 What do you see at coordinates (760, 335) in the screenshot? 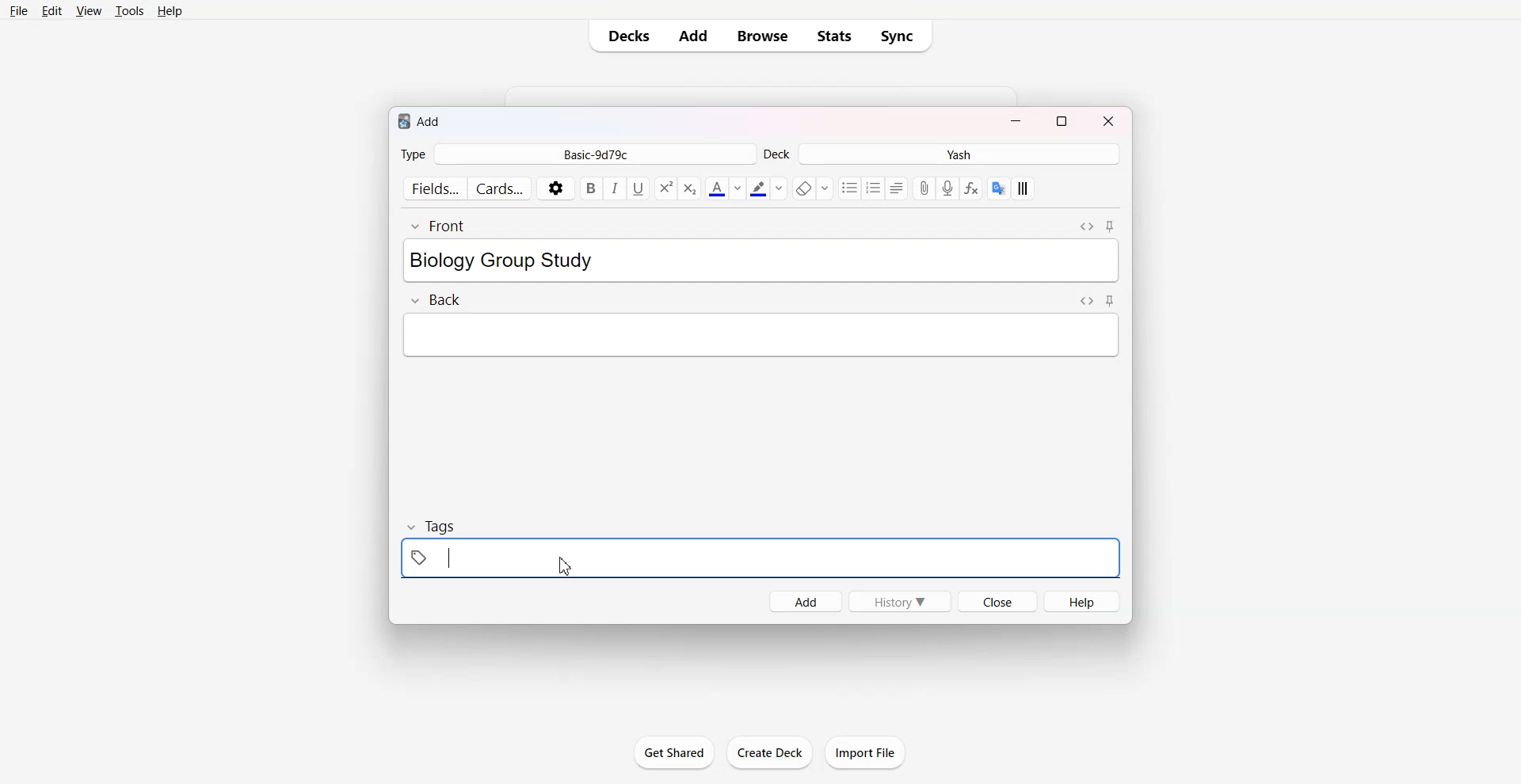
I see `back input field` at bounding box center [760, 335].